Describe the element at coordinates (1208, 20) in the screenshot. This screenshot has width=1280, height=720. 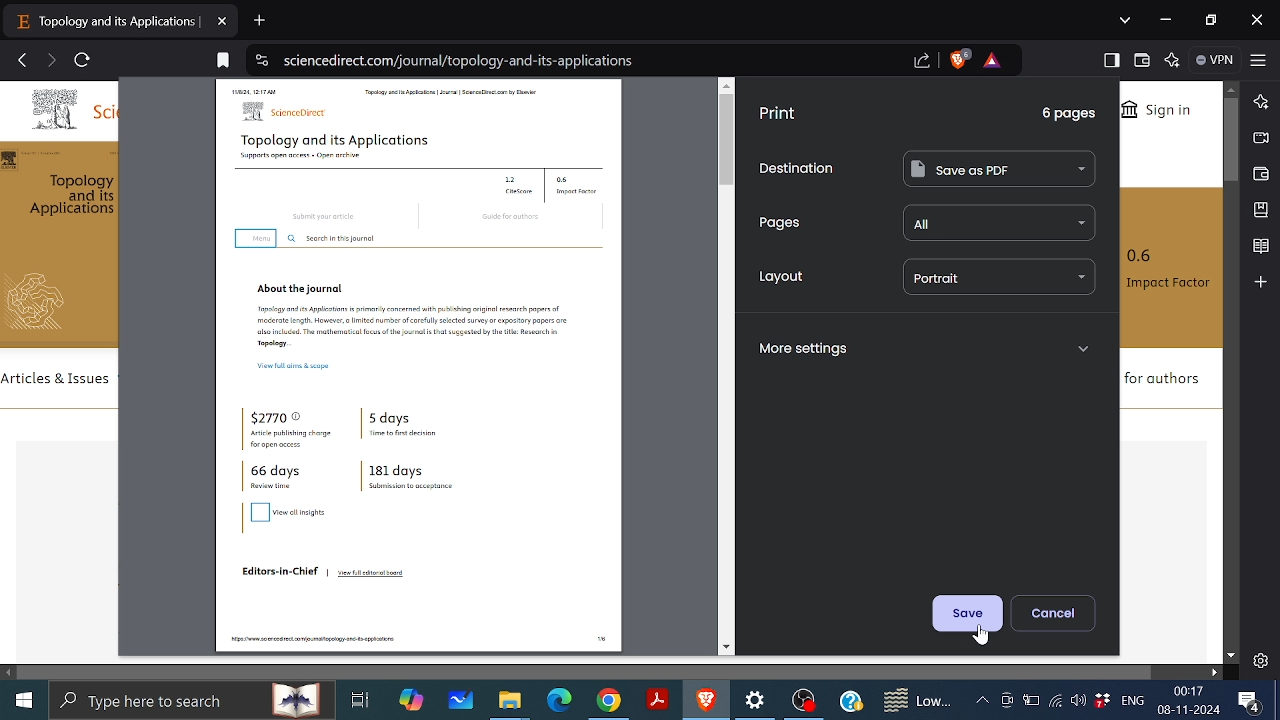
I see `restore down` at that location.